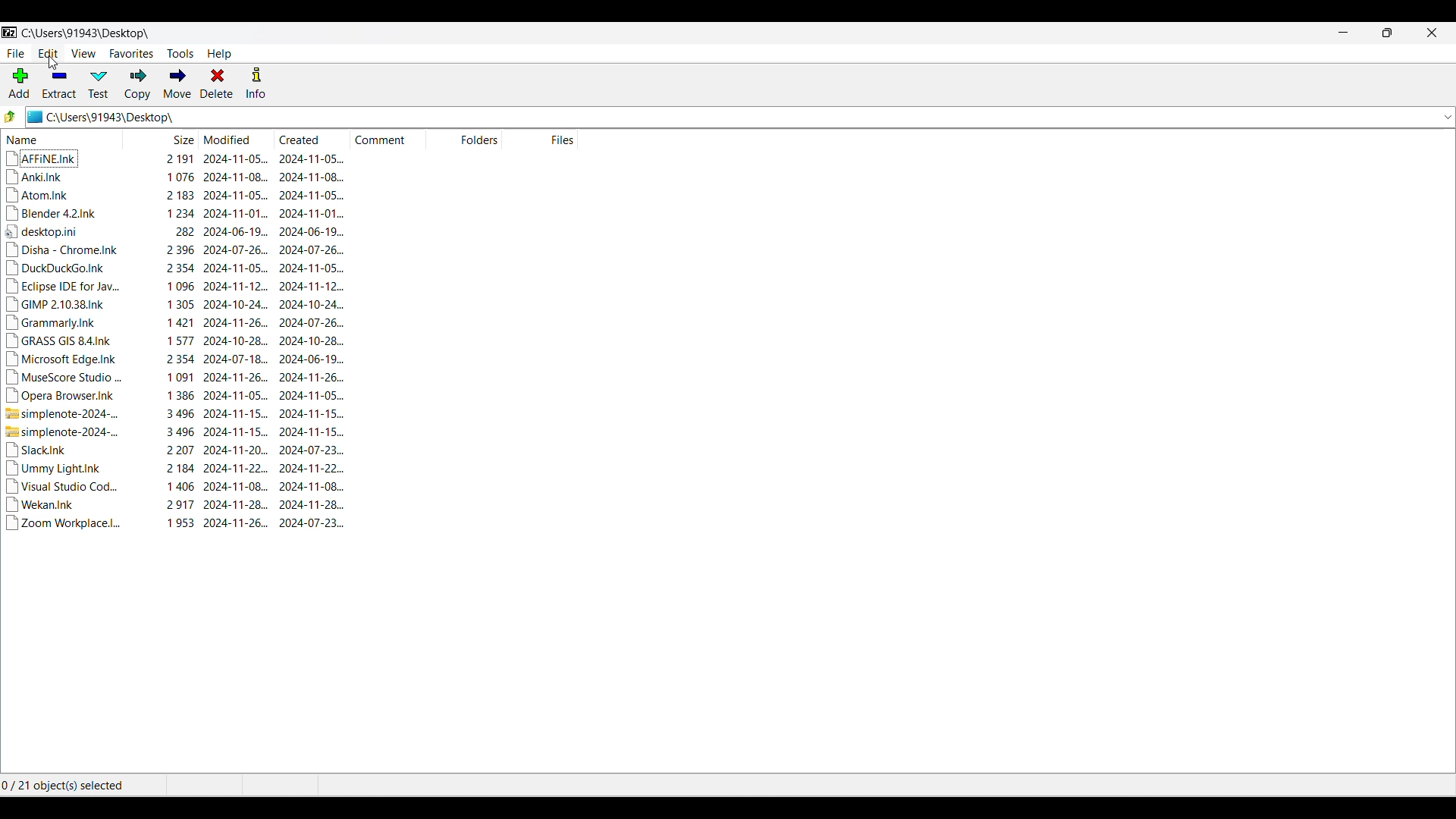 The width and height of the screenshot is (1456, 819). What do you see at coordinates (180, 53) in the screenshot?
I see `Tools menu` at bounding box center [180, 53].